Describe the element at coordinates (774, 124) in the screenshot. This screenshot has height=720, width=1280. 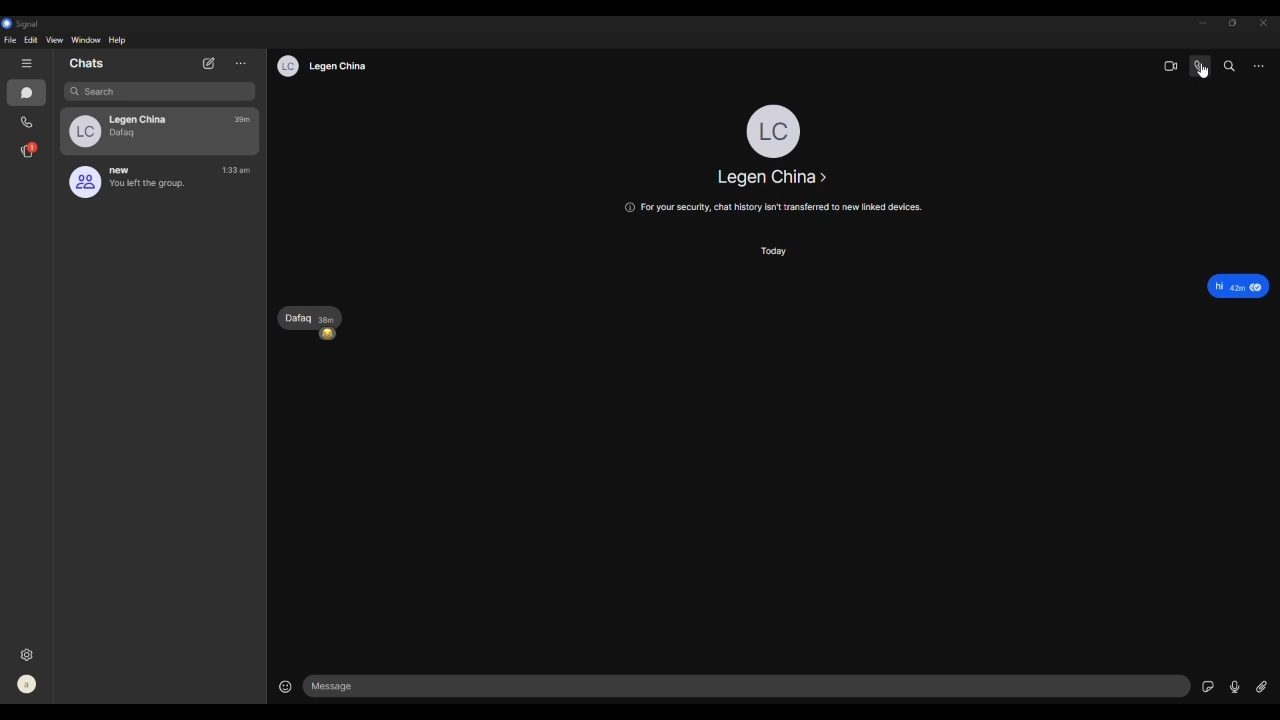
I see `profile photo` at that location.